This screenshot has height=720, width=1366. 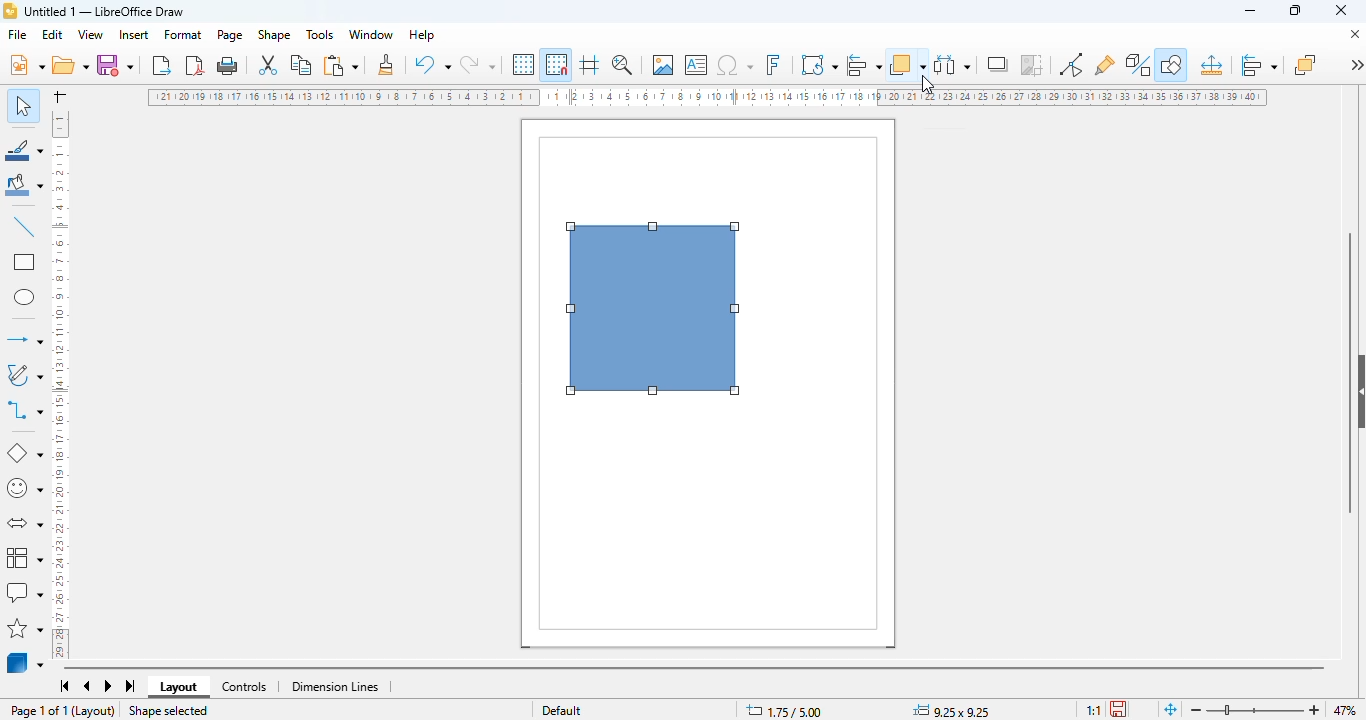 I want to click on stars and banners, so click(x=26, y=627).